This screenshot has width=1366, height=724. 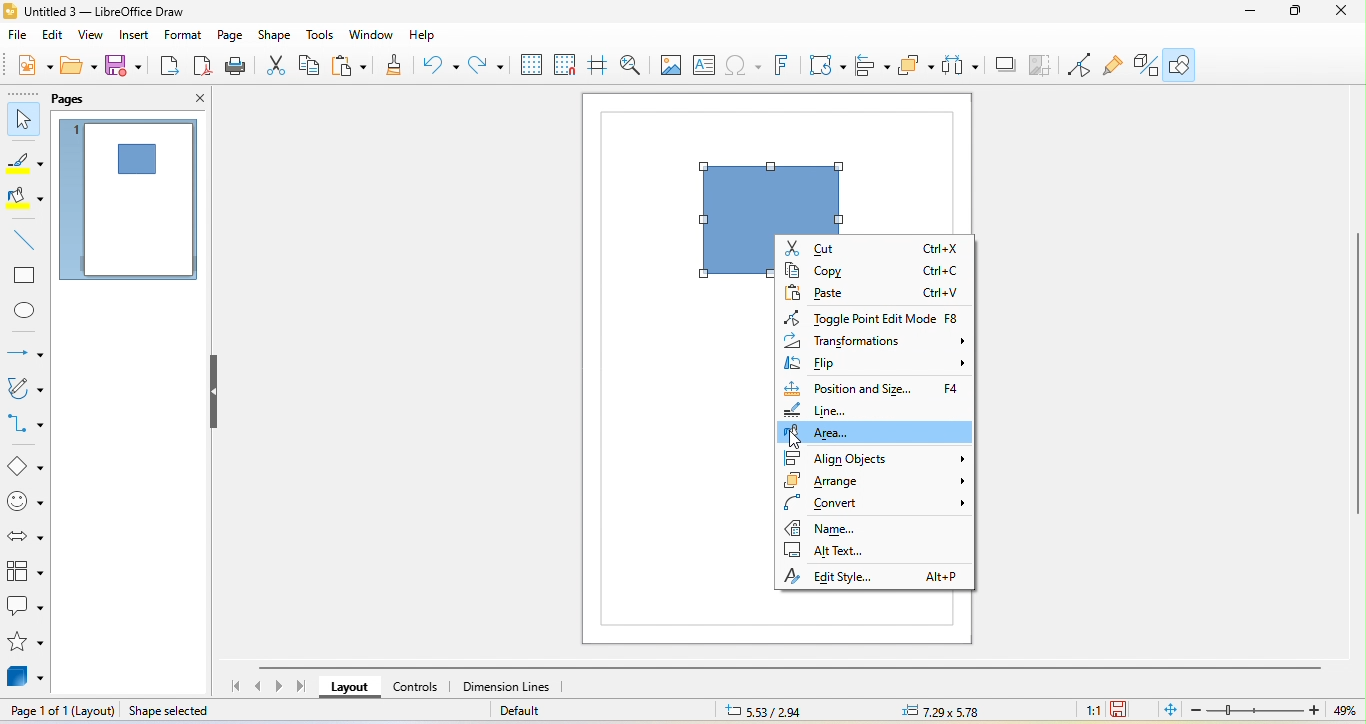 I want to click on 7.29x5.78, so click(x=945, y=711).